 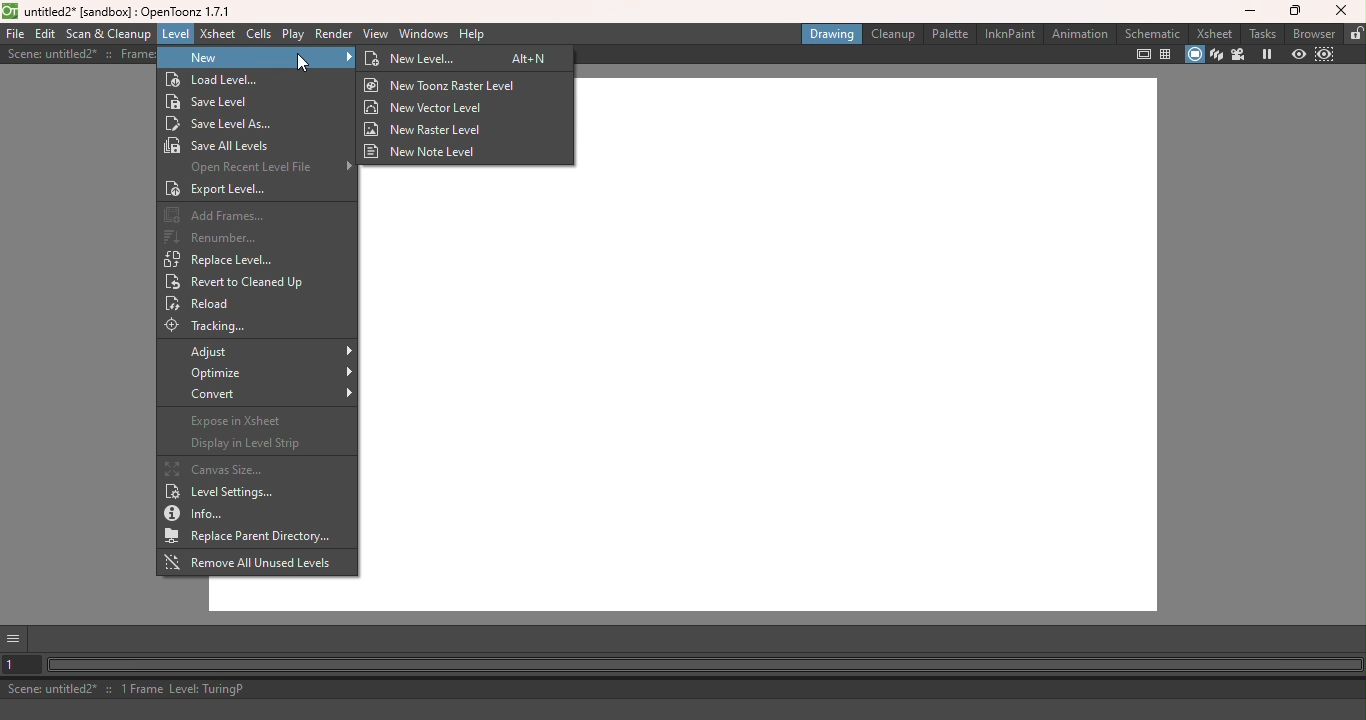 I want to click on Level settings, so click(x=220, y=493).